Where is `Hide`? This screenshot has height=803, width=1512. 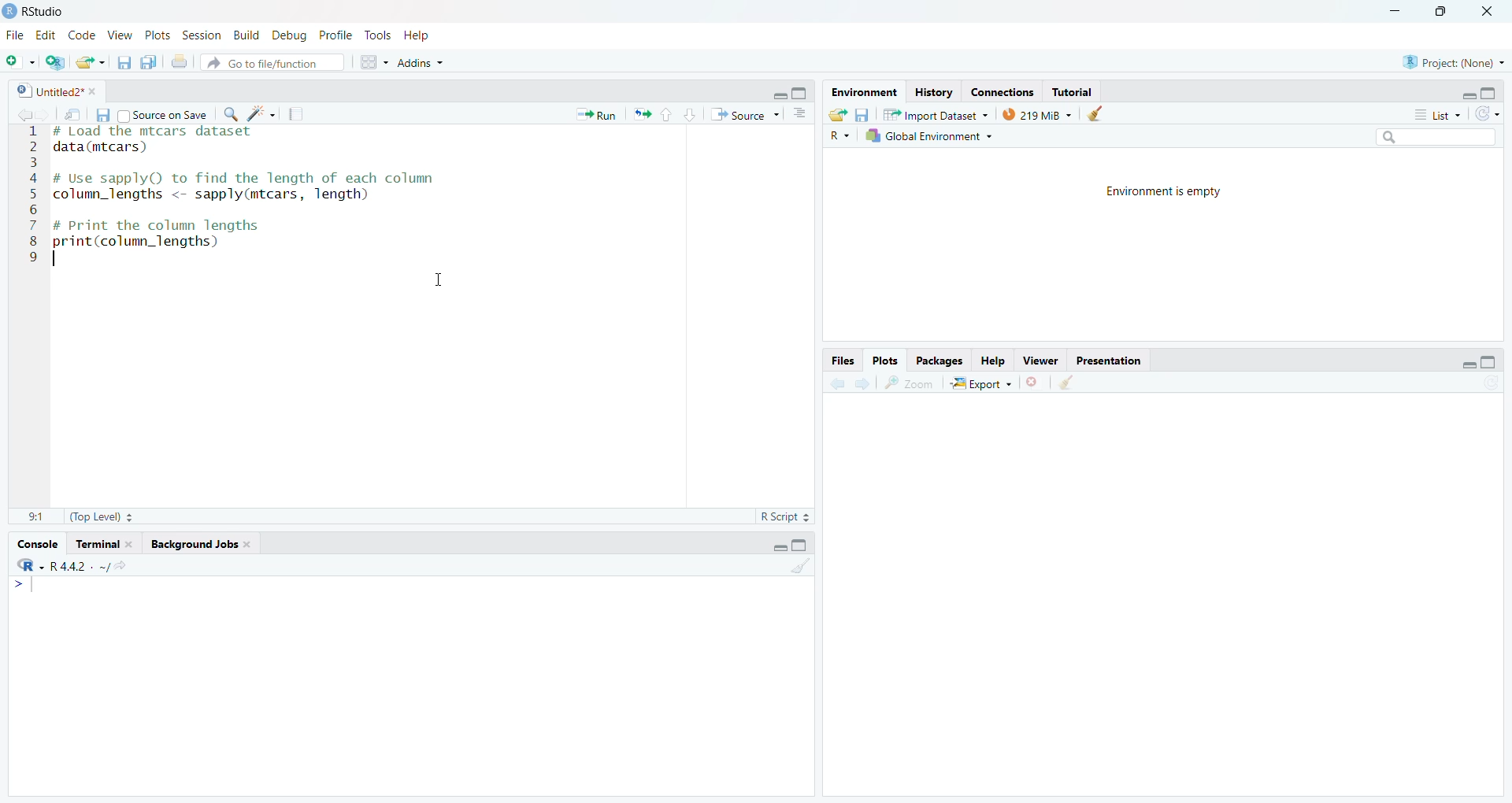
Hide is located at coordinates (778, 93).